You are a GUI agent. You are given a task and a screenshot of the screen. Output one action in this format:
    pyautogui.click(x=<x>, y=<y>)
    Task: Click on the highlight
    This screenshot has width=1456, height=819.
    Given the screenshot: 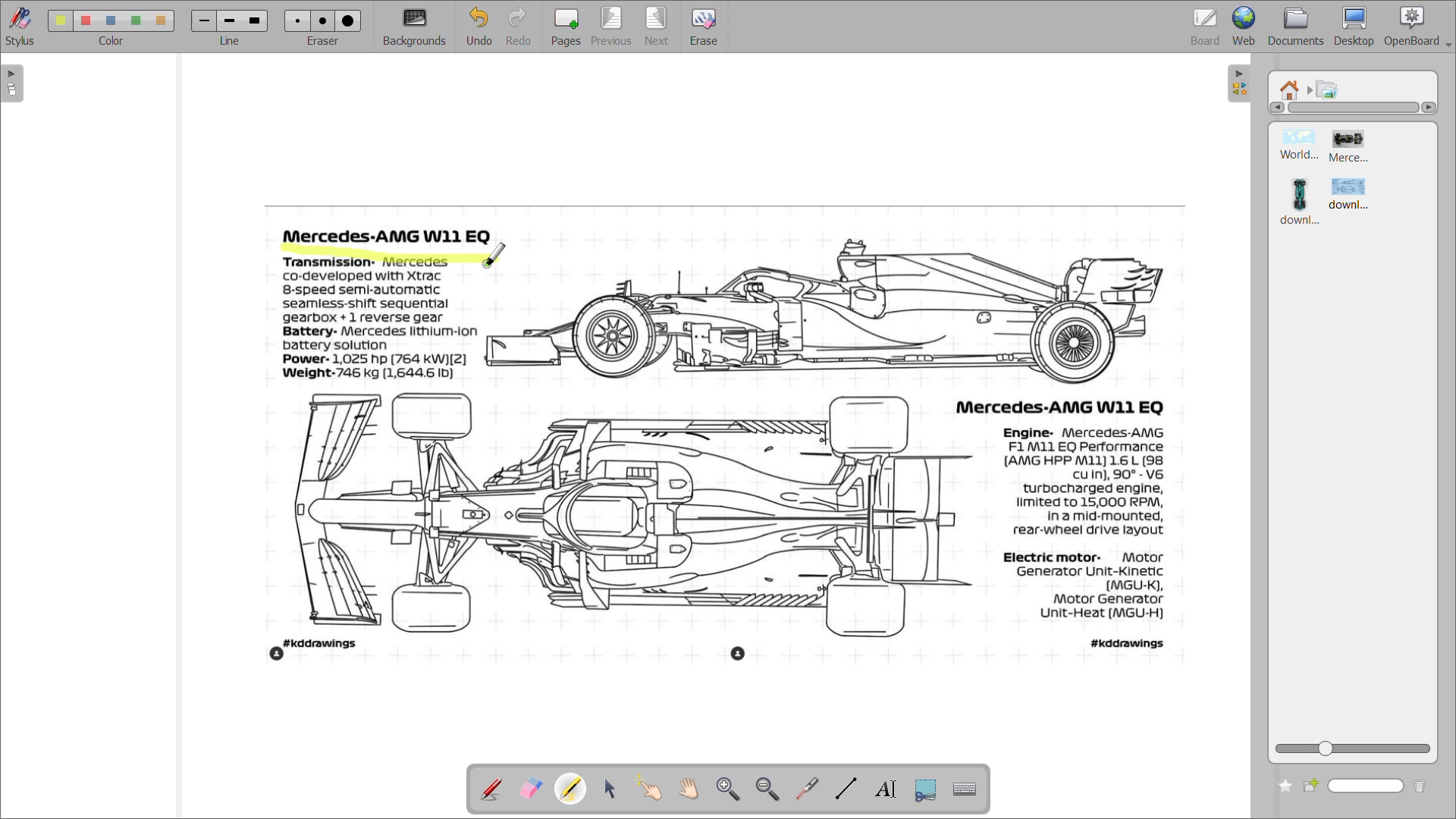 What is the action you would take?
    pyautogui.click(x=573, y=789)
    